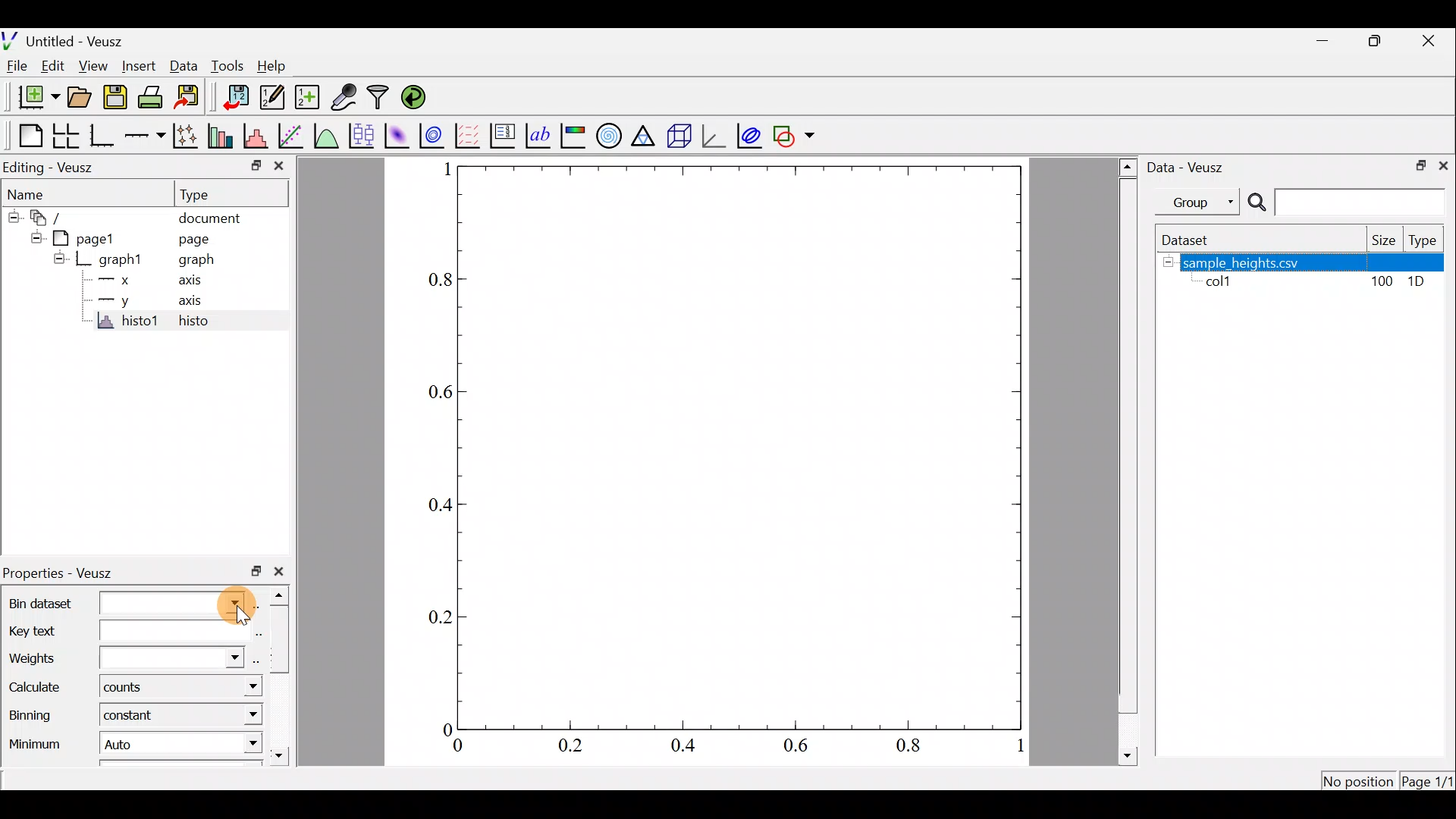  I want to click on Untitled - Veusz, so click(63, 40).